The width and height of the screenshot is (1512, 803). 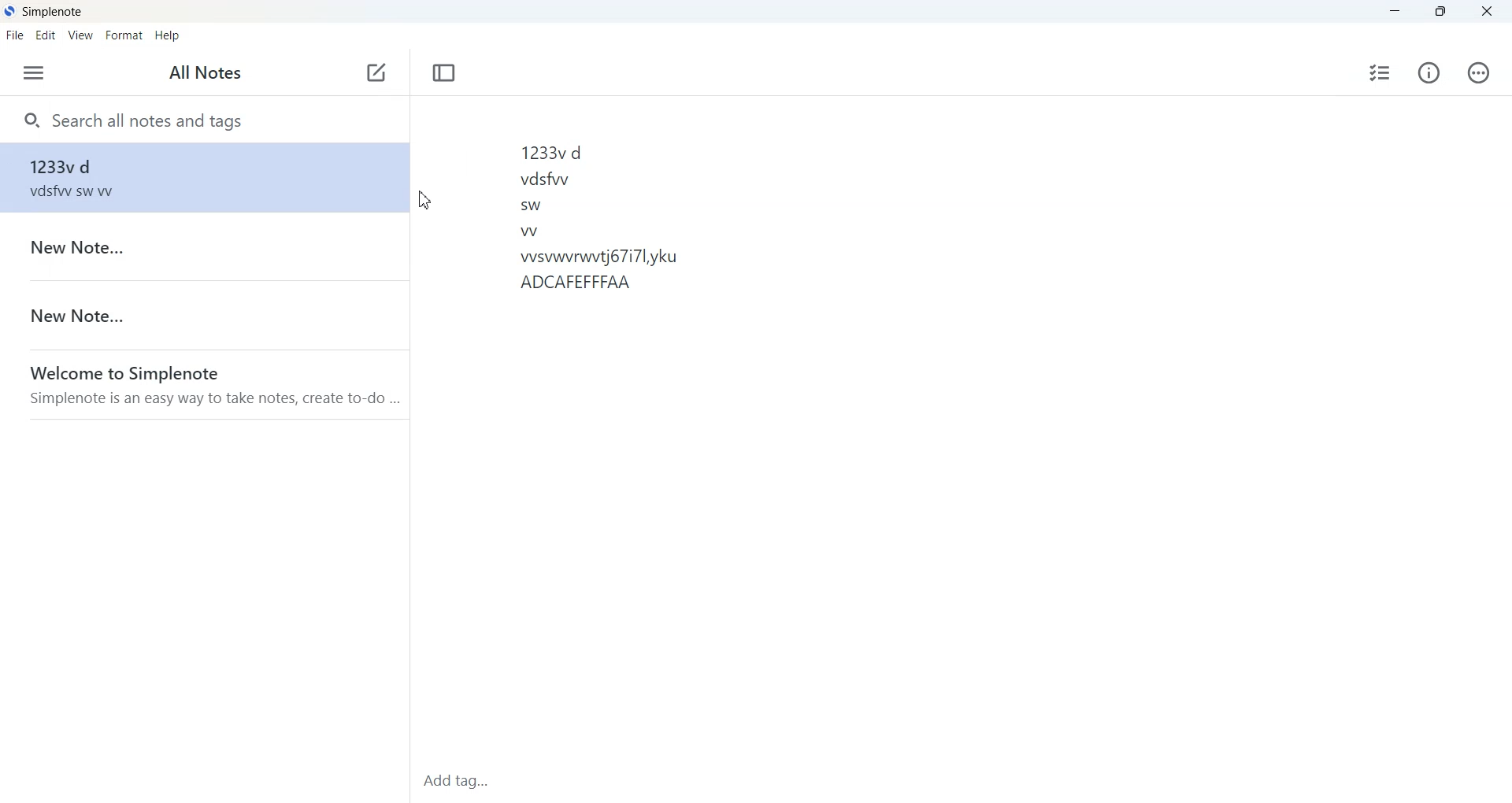 I want to click on Toggle focus mode, so click(x=443, y=72).